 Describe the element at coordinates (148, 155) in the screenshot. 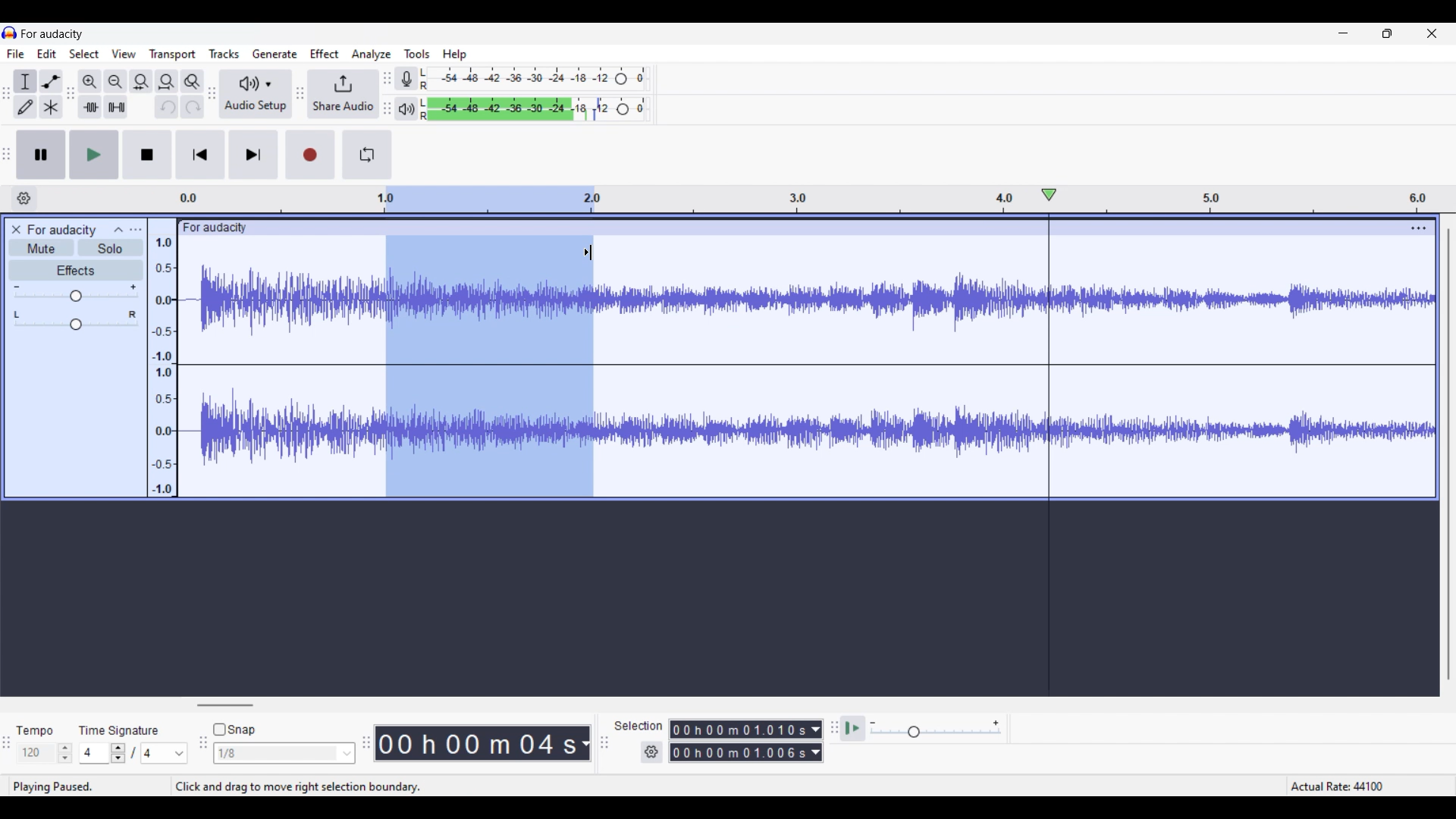

I see `Stop` at that location.